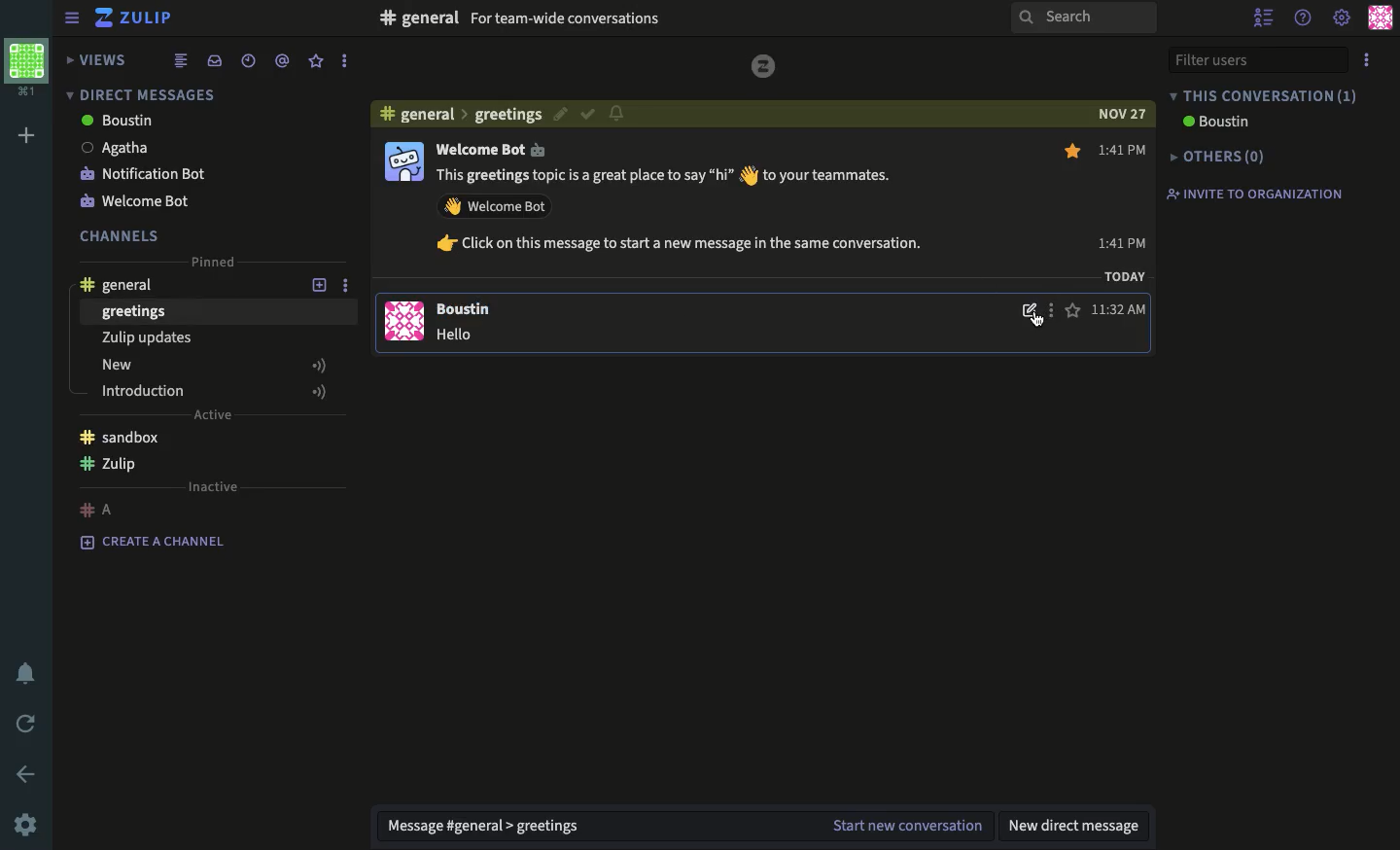  What do you see at coordinates (526, 18) in the screenshot?
I see `general For team-wide conversations` at bounding box center [526, 18].